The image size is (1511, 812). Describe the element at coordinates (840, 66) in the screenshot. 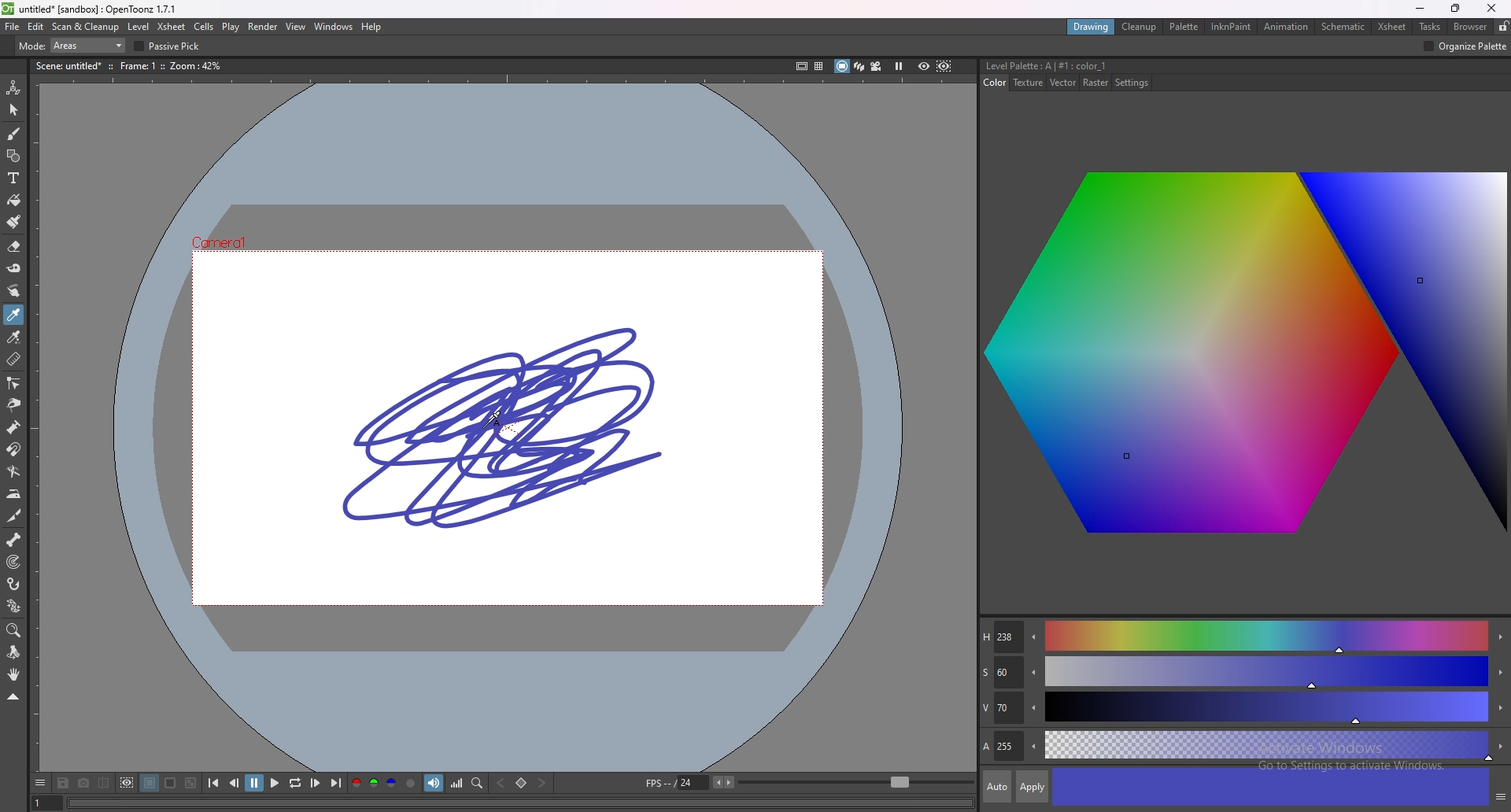

I see `camera stand view` at that location.